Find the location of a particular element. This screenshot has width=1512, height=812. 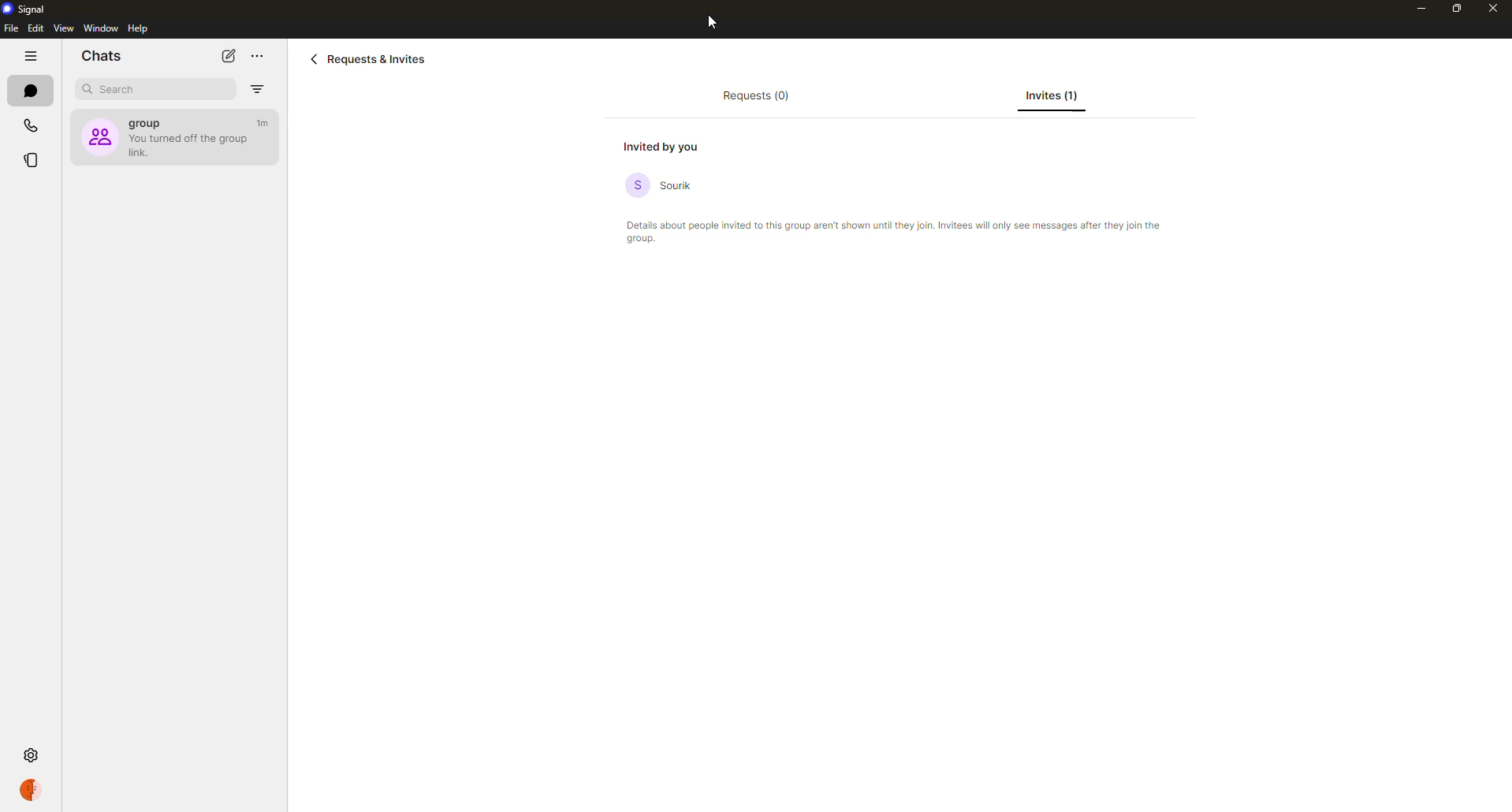

maximize is located at coordinates (1448, 9).